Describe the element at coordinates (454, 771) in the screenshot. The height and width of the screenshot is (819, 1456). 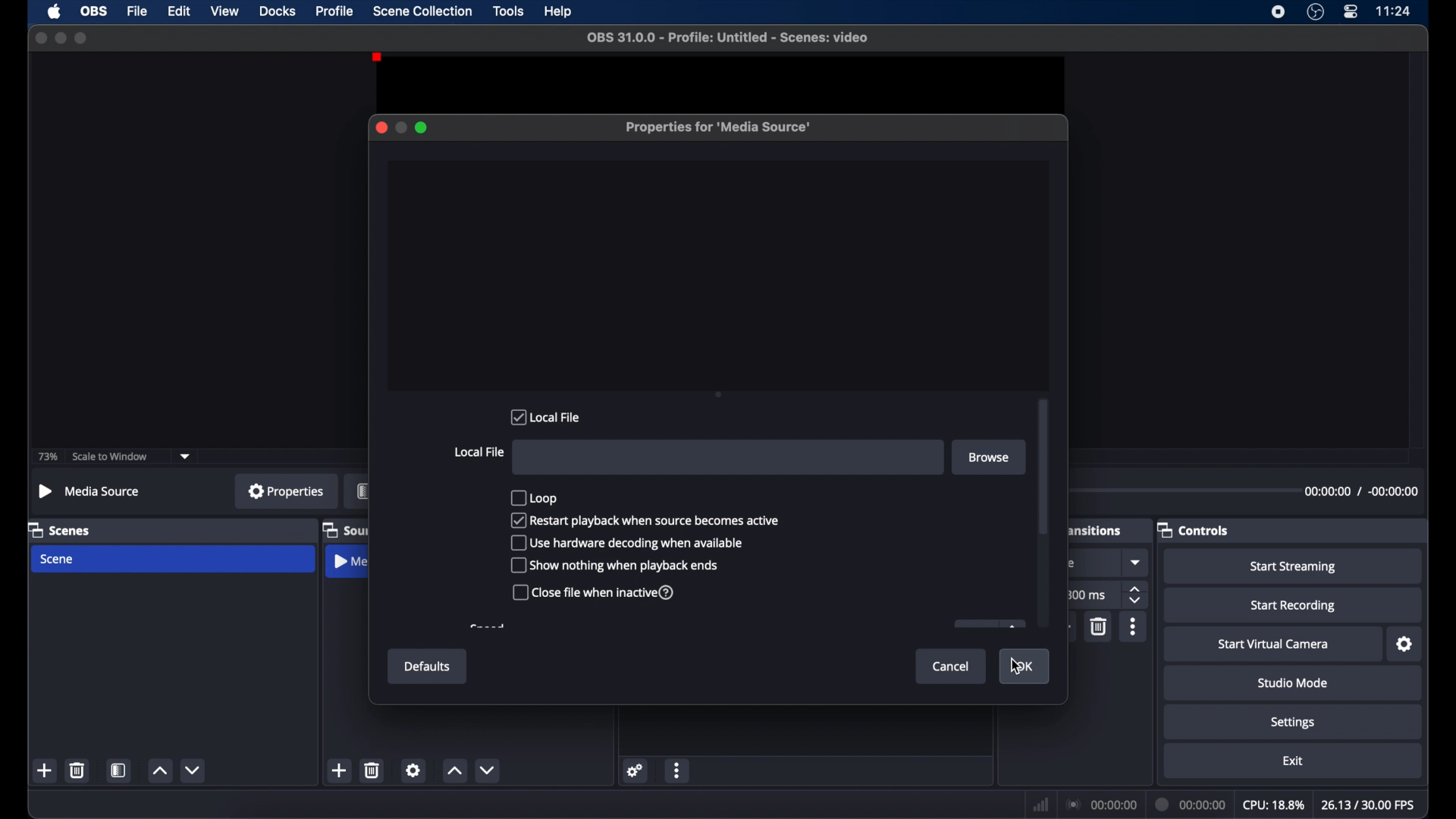
I see `increment` at that location.